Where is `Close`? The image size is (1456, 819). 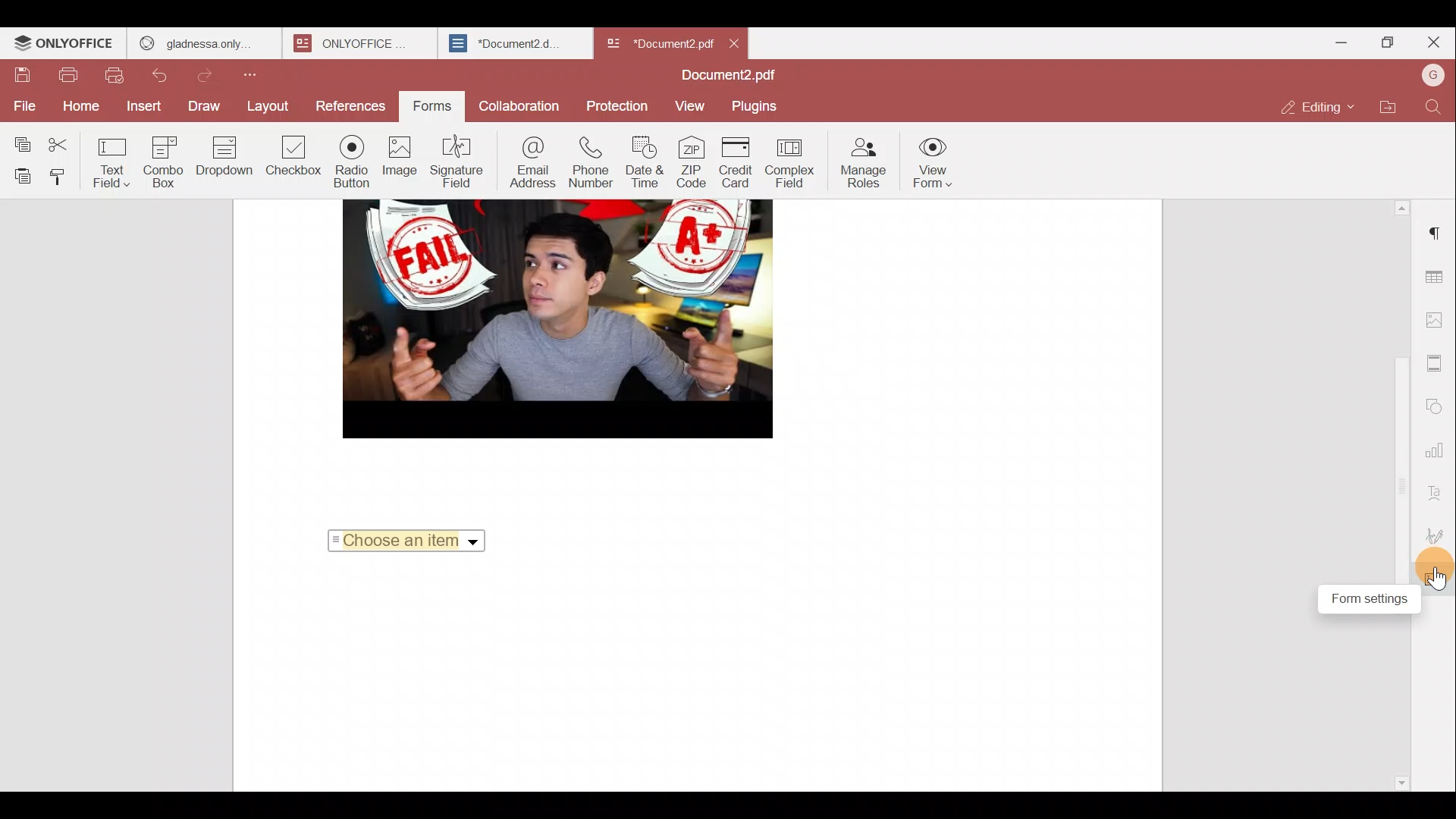 Close is located at coordinates (736, 41).